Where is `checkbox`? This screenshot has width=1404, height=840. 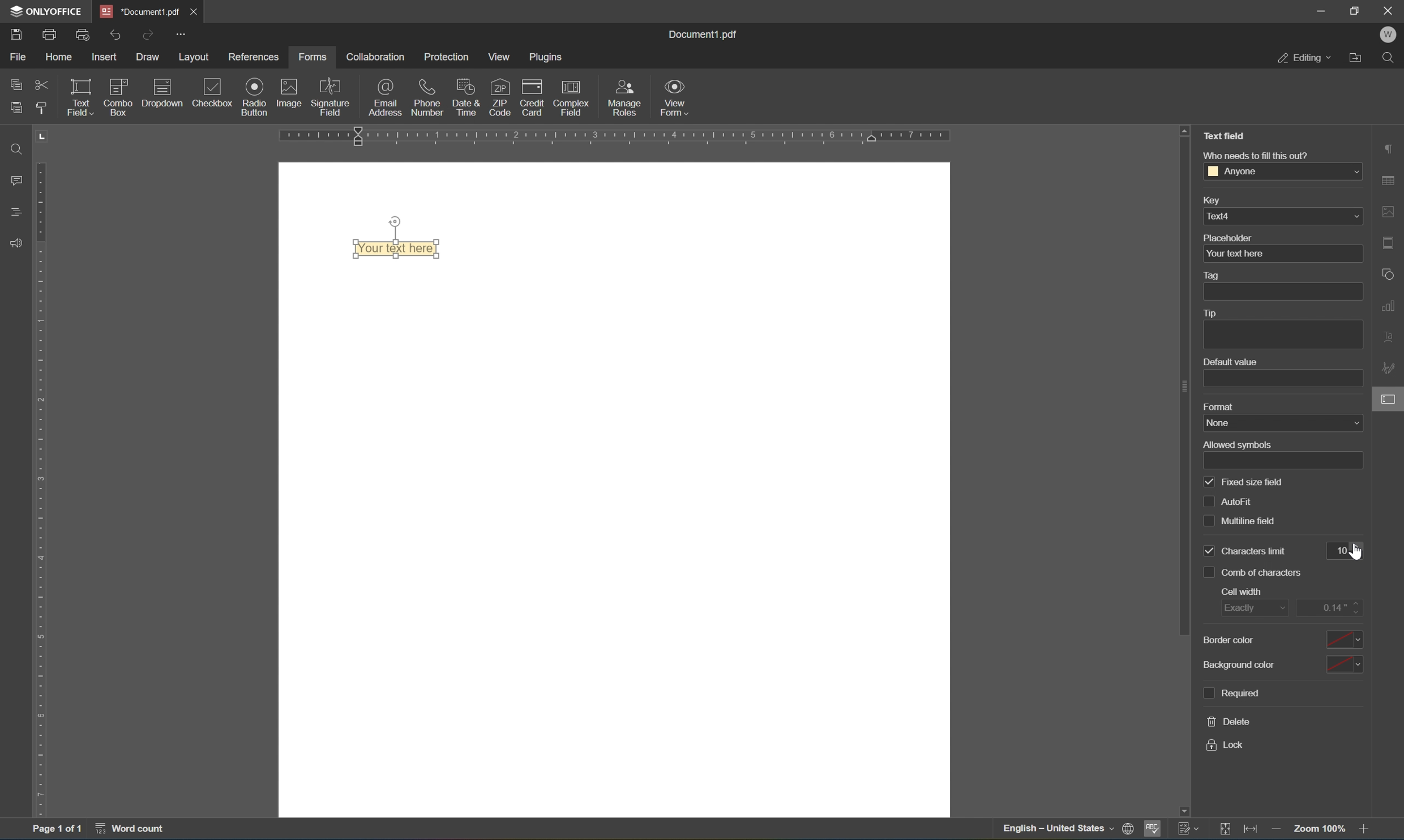 checkbox is located at coordinates (1212, 483).